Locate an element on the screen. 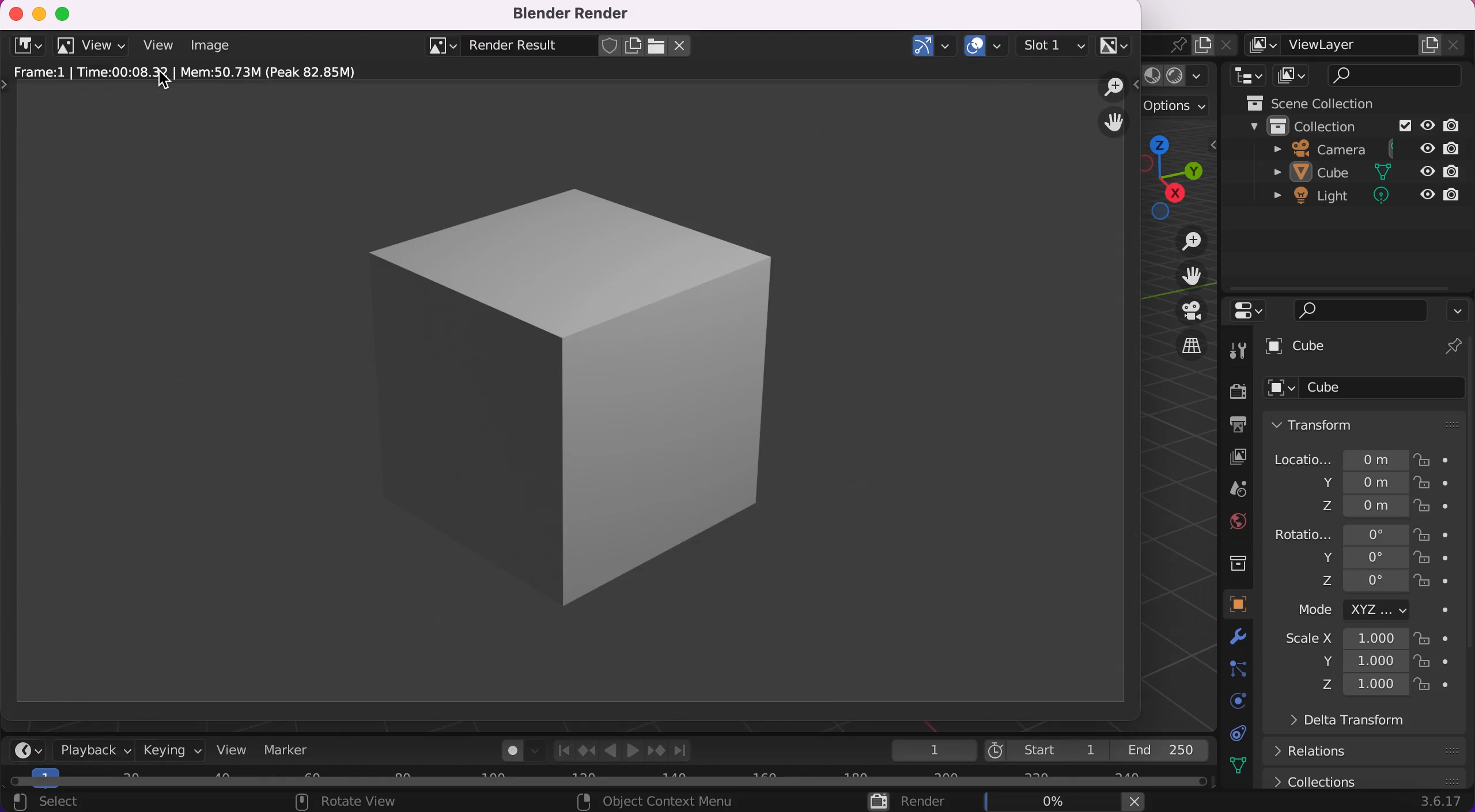 Image resolution: width=1475 pixels, height=812 pixels. hide in viewport is located at coordinates (1427, 191).